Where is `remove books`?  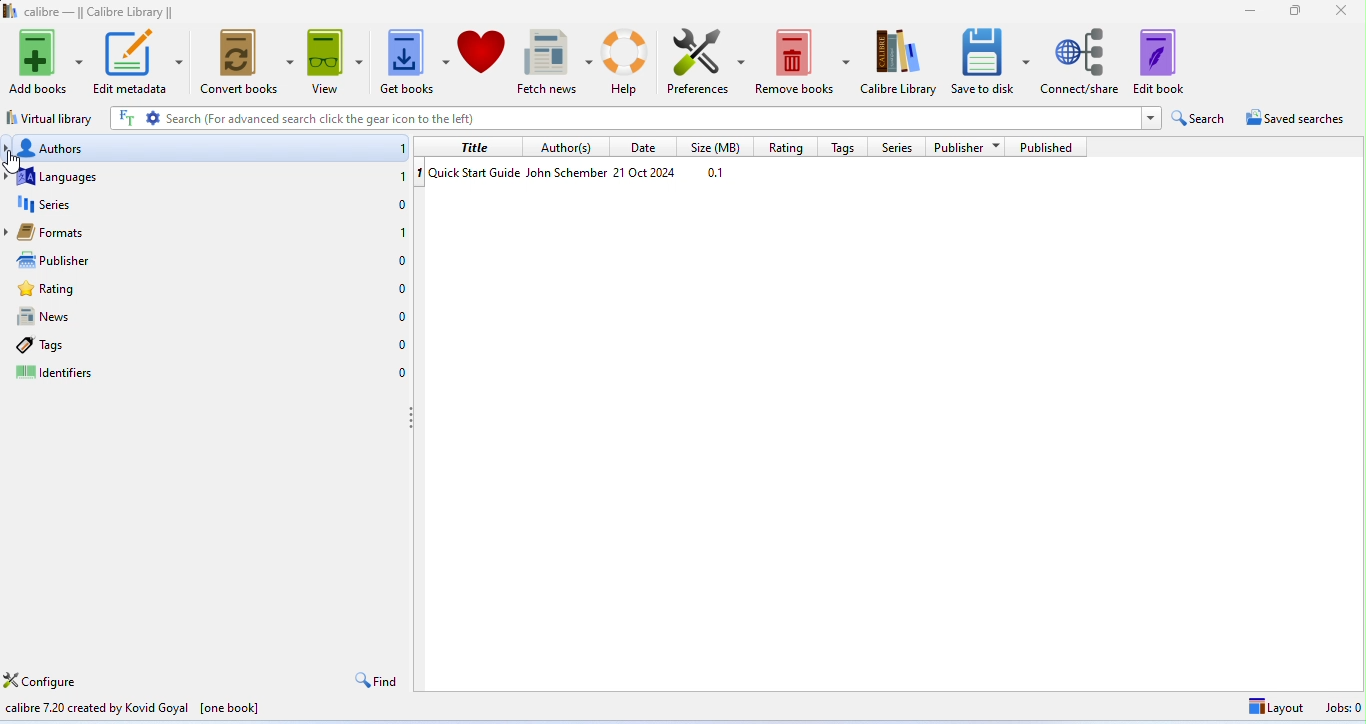 remove books is located at coordinates (803, 61).